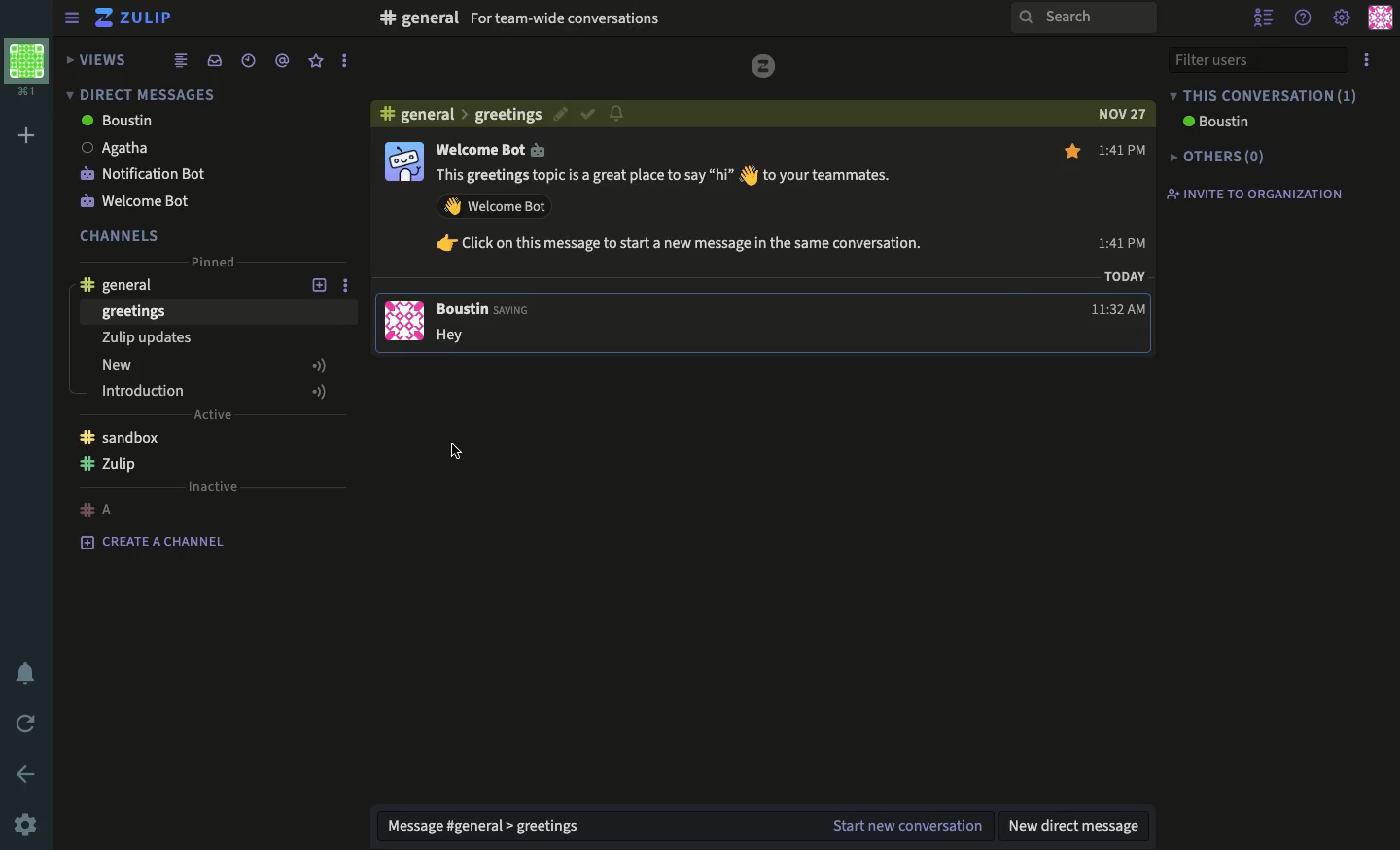  I want to click on NOV 23, so click(1119, 111).